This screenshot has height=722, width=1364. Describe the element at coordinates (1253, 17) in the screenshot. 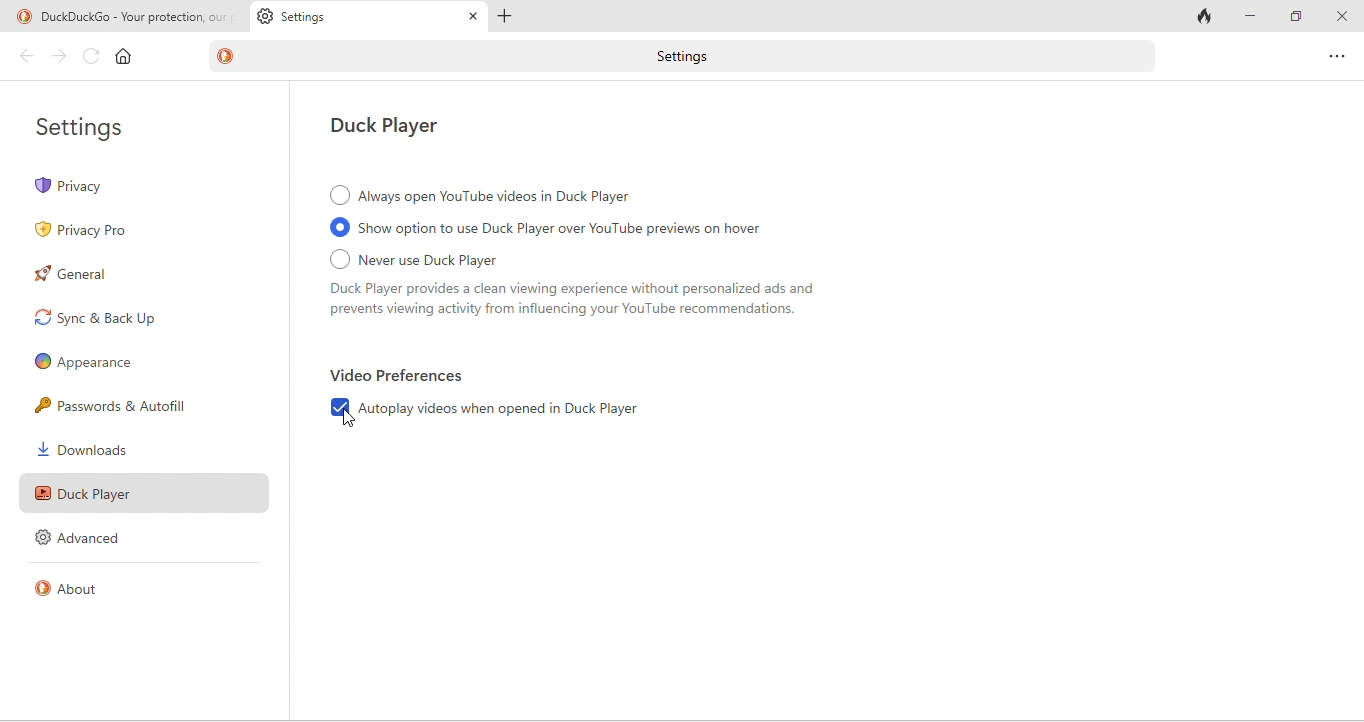

I see `minimize` at that location.